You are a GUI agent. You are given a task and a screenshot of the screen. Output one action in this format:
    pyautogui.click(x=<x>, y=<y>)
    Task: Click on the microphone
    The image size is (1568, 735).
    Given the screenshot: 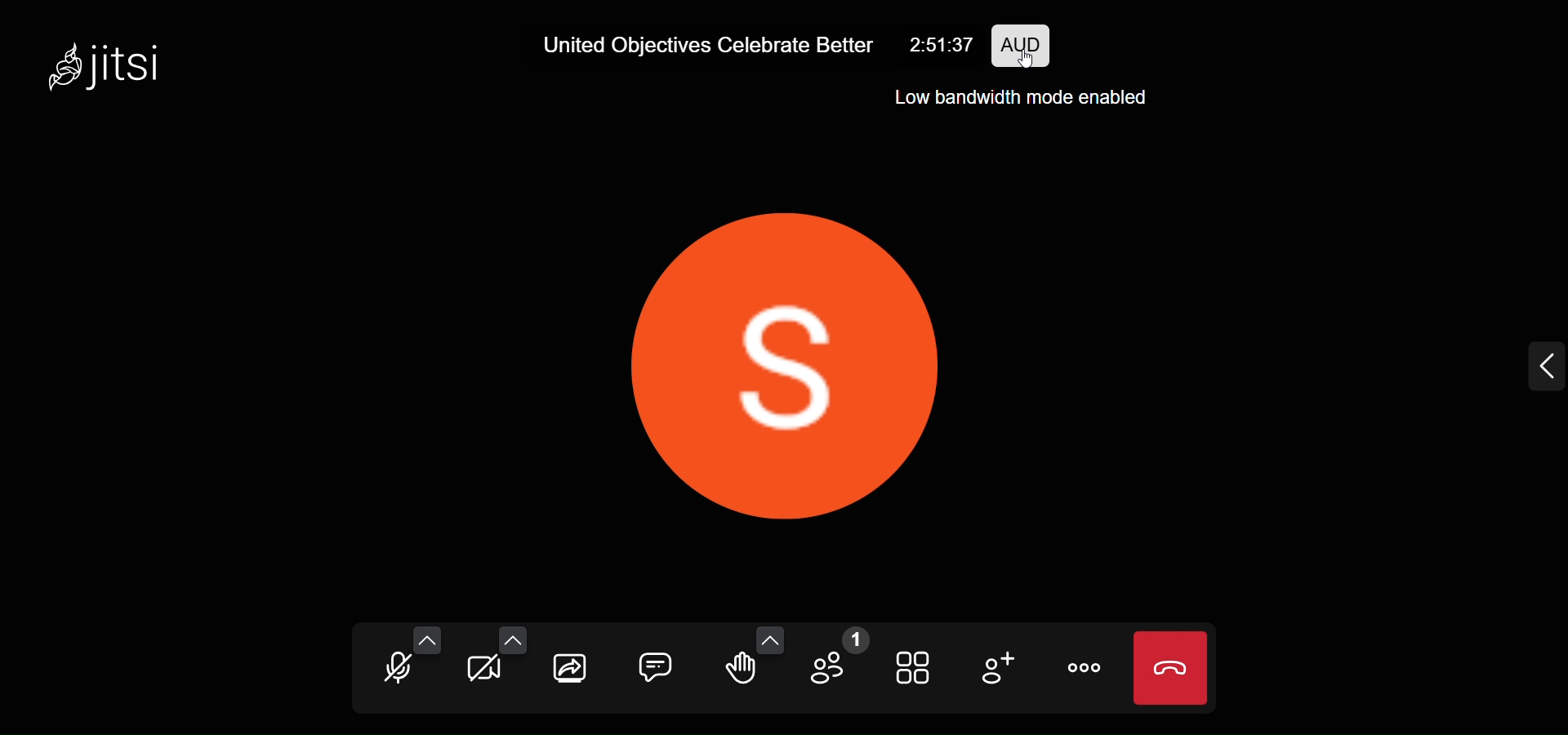 What is the action you would take?
    pyautogui.click(x=395, y=672)
    